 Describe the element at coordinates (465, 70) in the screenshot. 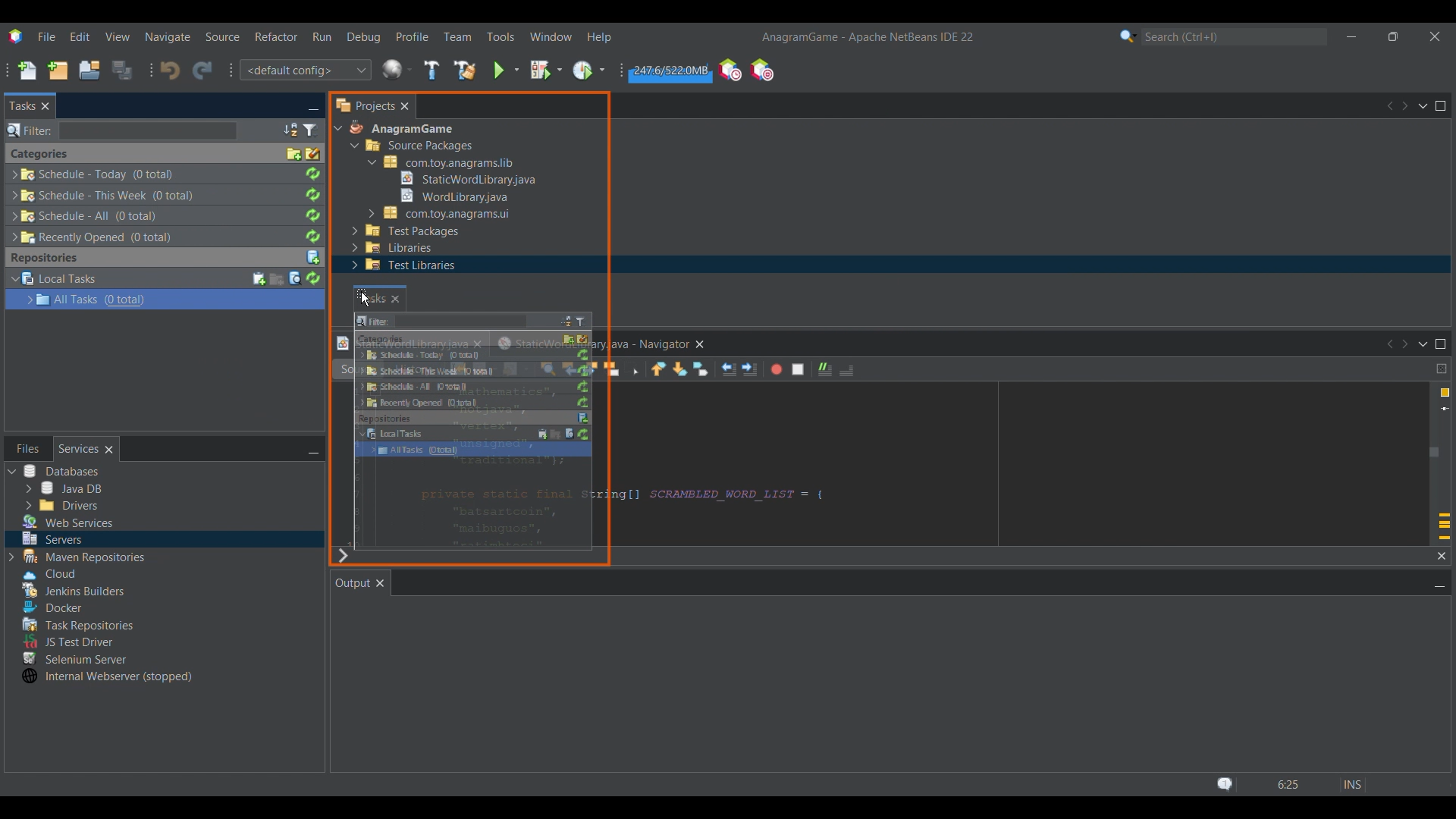

I see `Clean and build main project` at that location.